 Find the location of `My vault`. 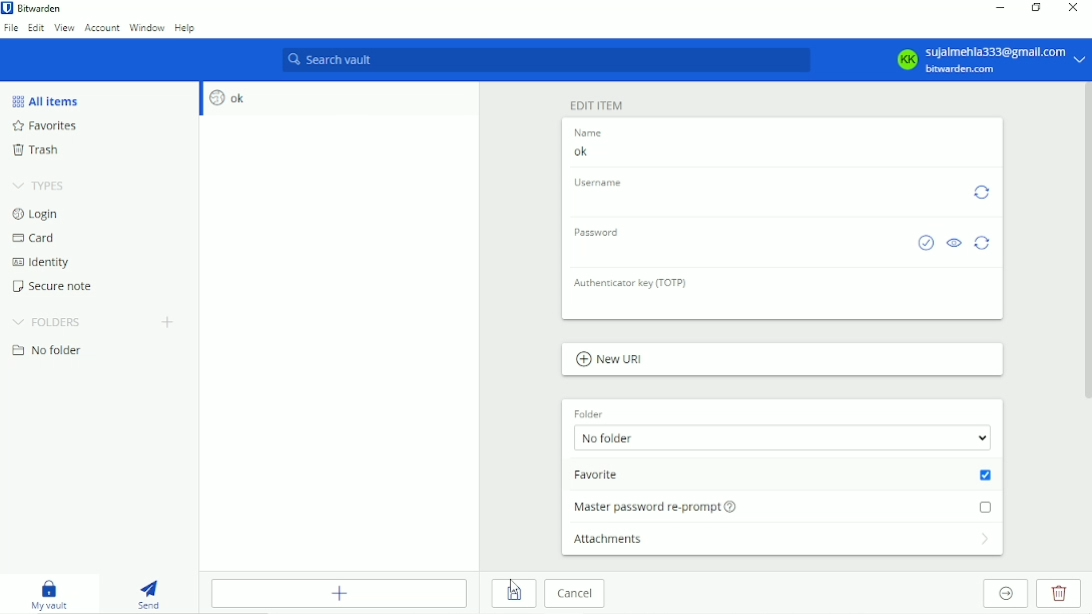

My vault is located at coordinates (53, 594).